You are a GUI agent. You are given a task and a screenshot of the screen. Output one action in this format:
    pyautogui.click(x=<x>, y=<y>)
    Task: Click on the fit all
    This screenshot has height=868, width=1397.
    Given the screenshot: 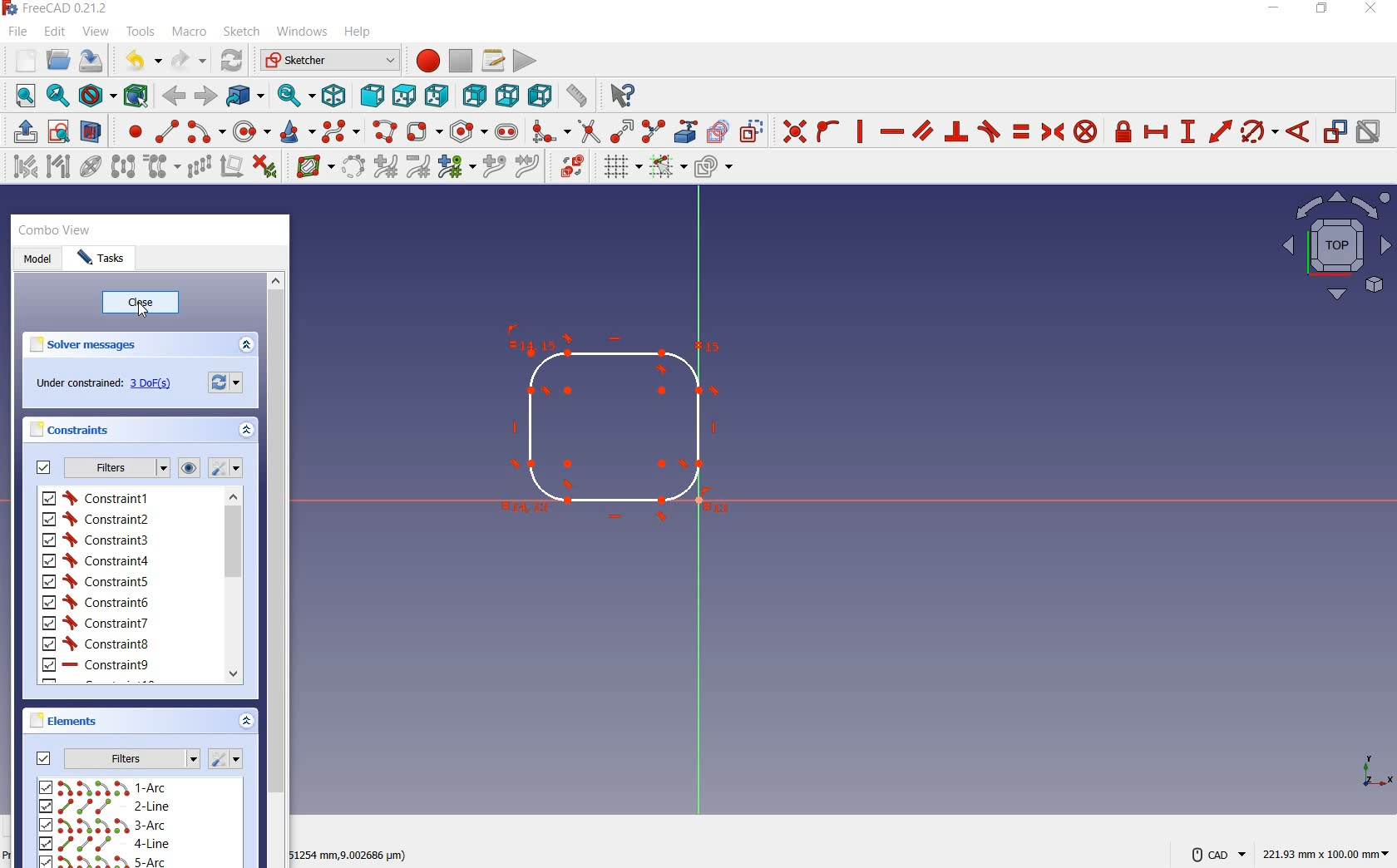 What is the action you would take?
    pyautogui.click(x=23, y=96)
    